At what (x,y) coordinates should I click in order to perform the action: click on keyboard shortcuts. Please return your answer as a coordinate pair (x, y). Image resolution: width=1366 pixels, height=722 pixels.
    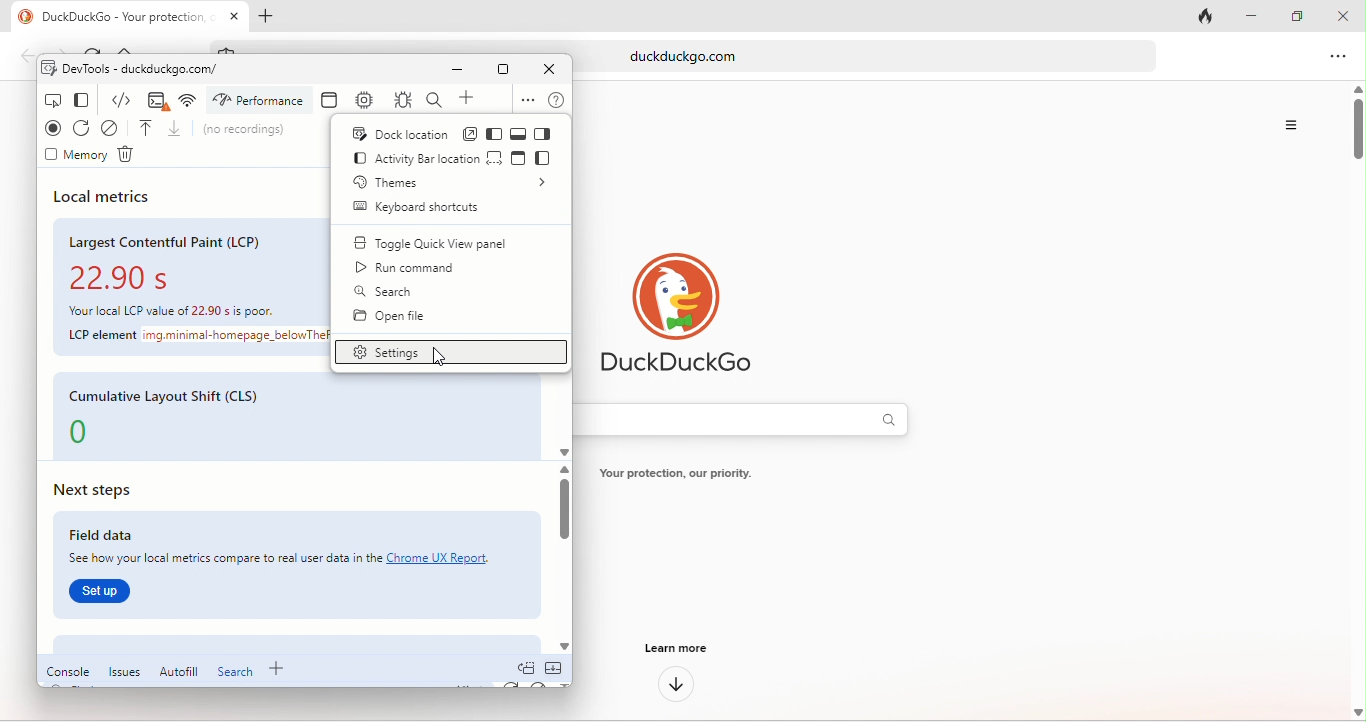
    Looking at the image, I should click on (435, 209).